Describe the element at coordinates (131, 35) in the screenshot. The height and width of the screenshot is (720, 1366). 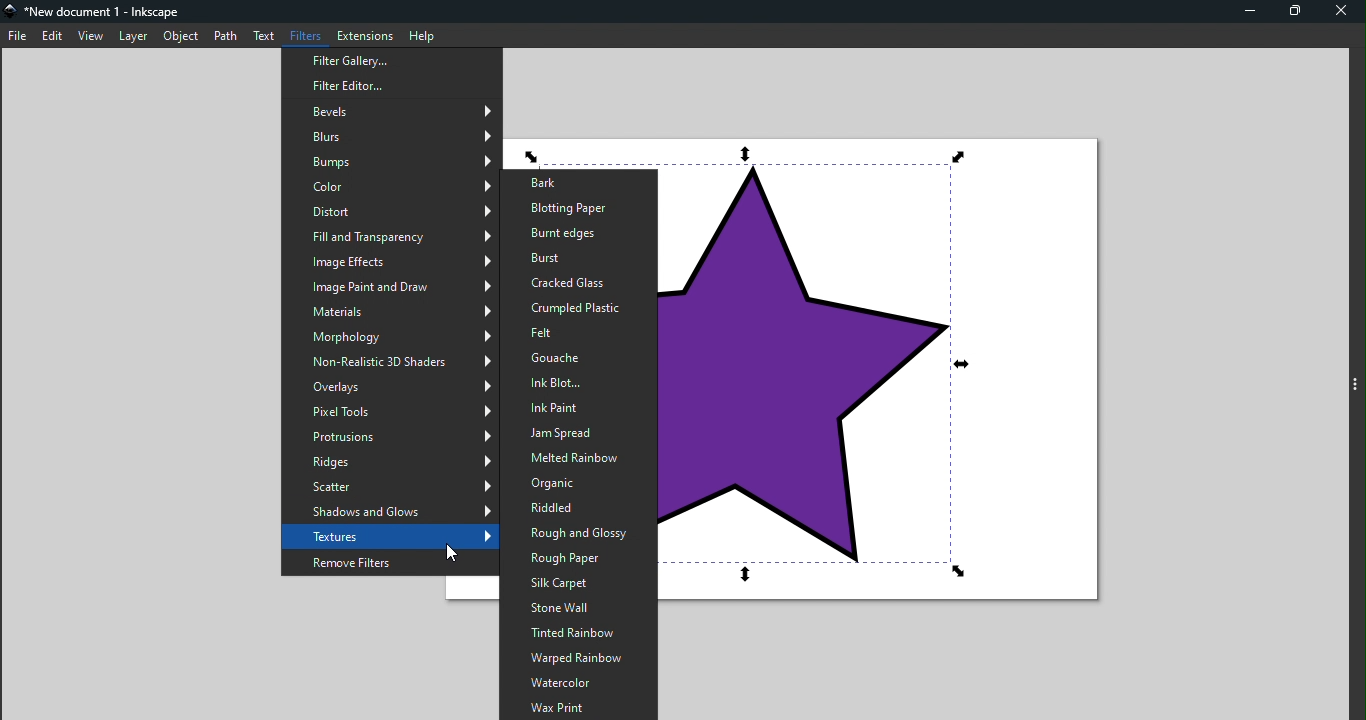
I see `Layer` at that location.